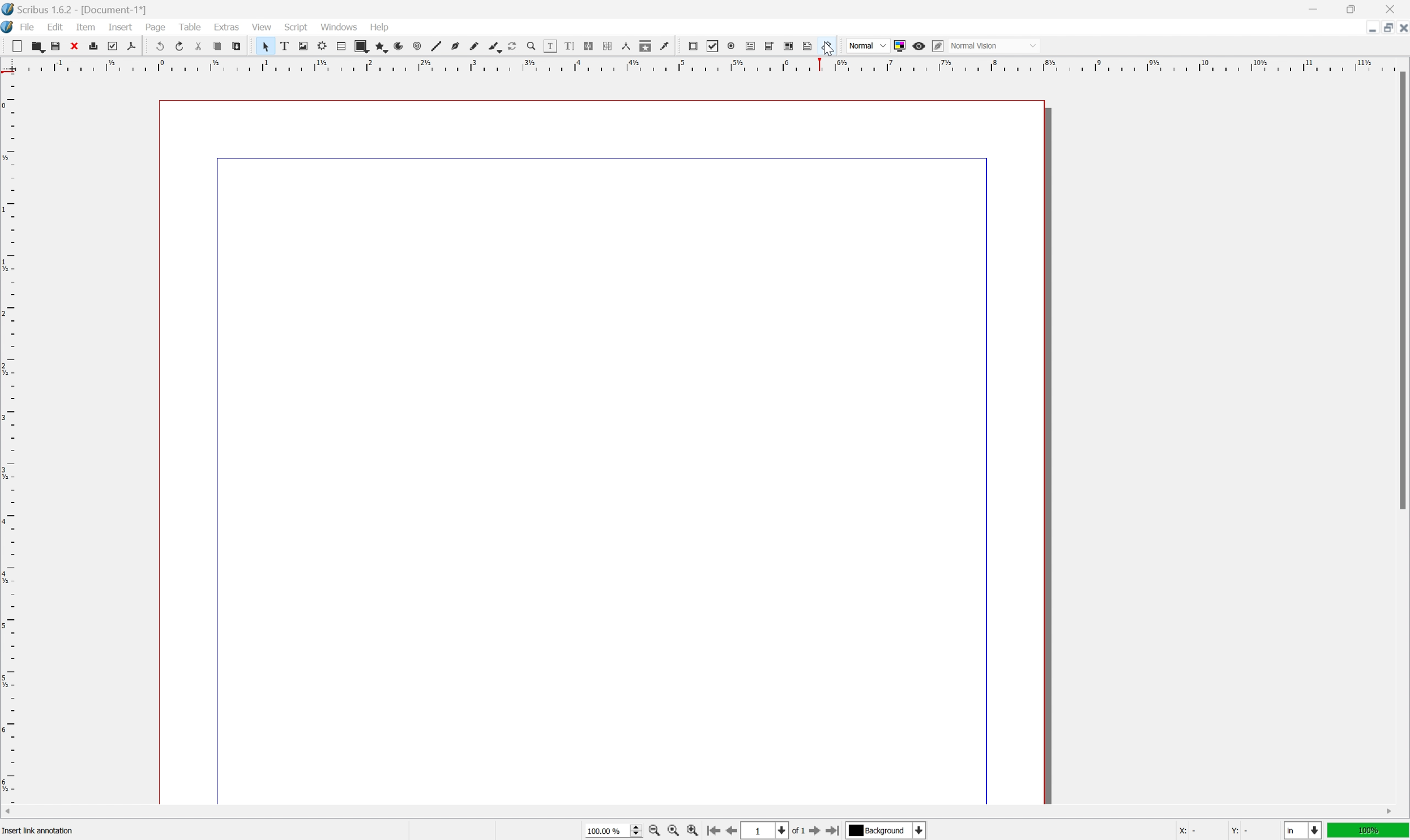 This screenshot has width=1410, height=840. I want to click on zoom out, so click(653, 831).